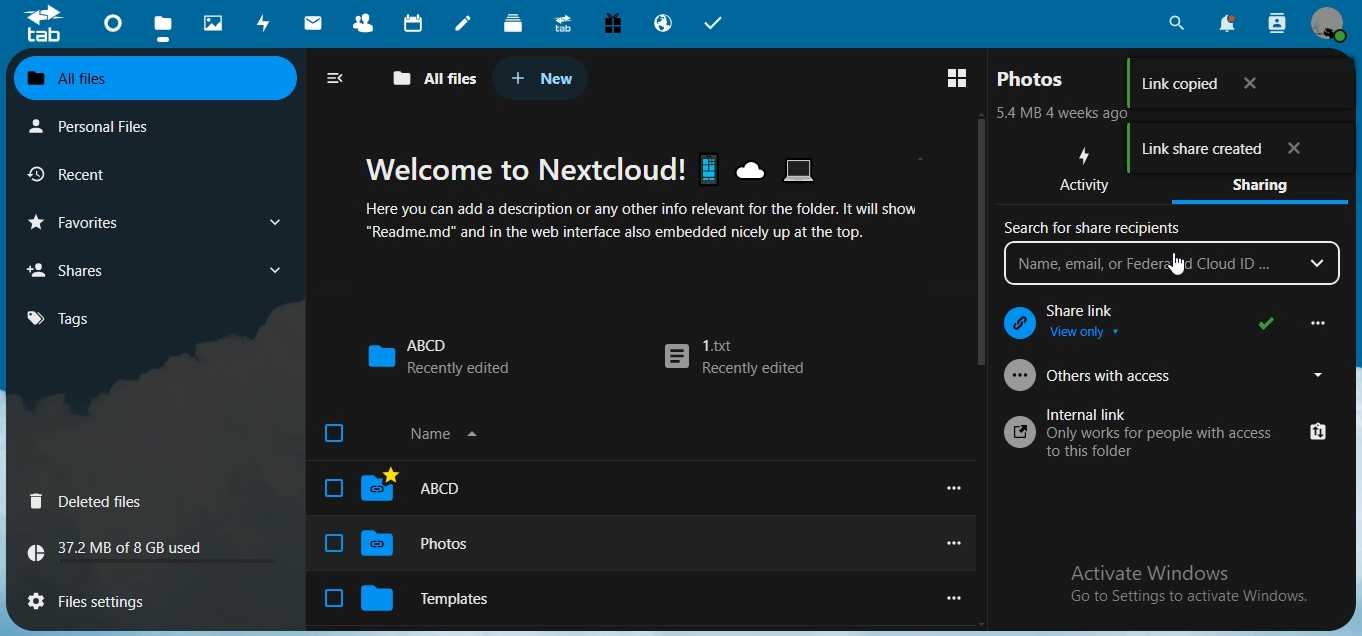 The image size is (1362, 636). I want to click on check box, so click(329, 487).